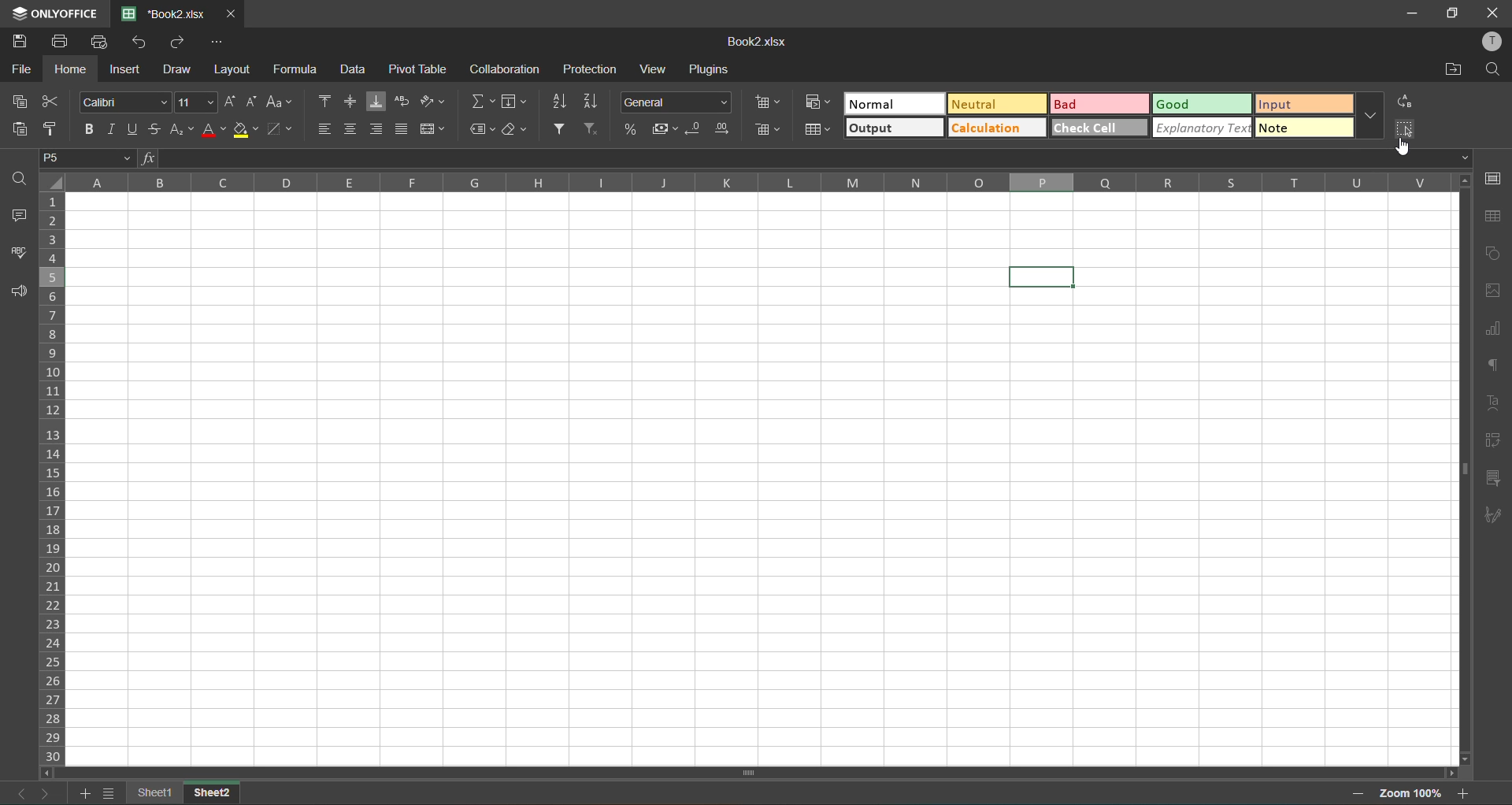 This screenshot has width=1512, height=805. What do you see at coordinates (1406, 149) in the screenshot?
I see `cursor` at bounding box center [1406, 149].